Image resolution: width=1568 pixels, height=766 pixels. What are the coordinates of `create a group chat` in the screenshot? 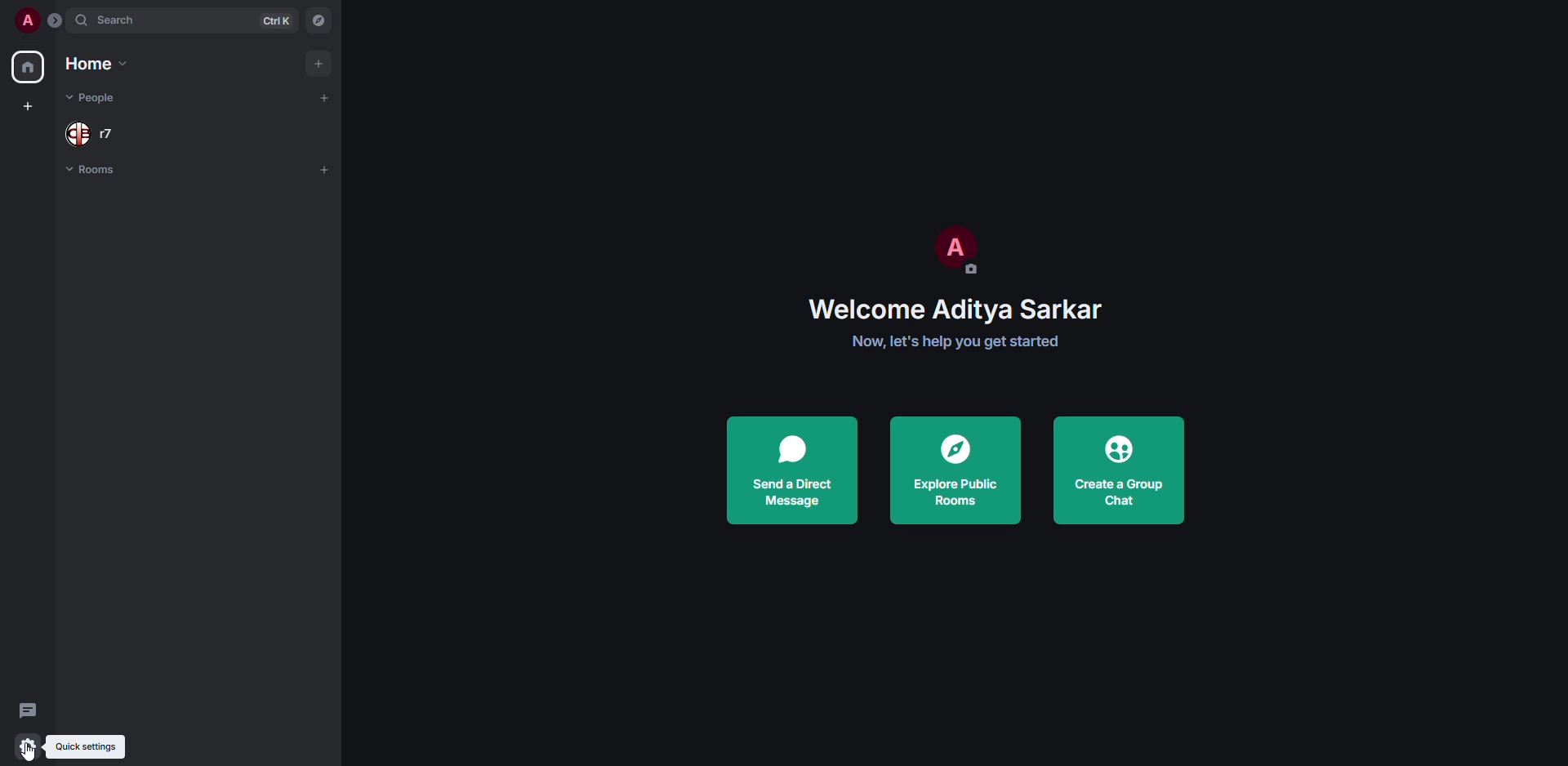 It's located at (1118, 470).